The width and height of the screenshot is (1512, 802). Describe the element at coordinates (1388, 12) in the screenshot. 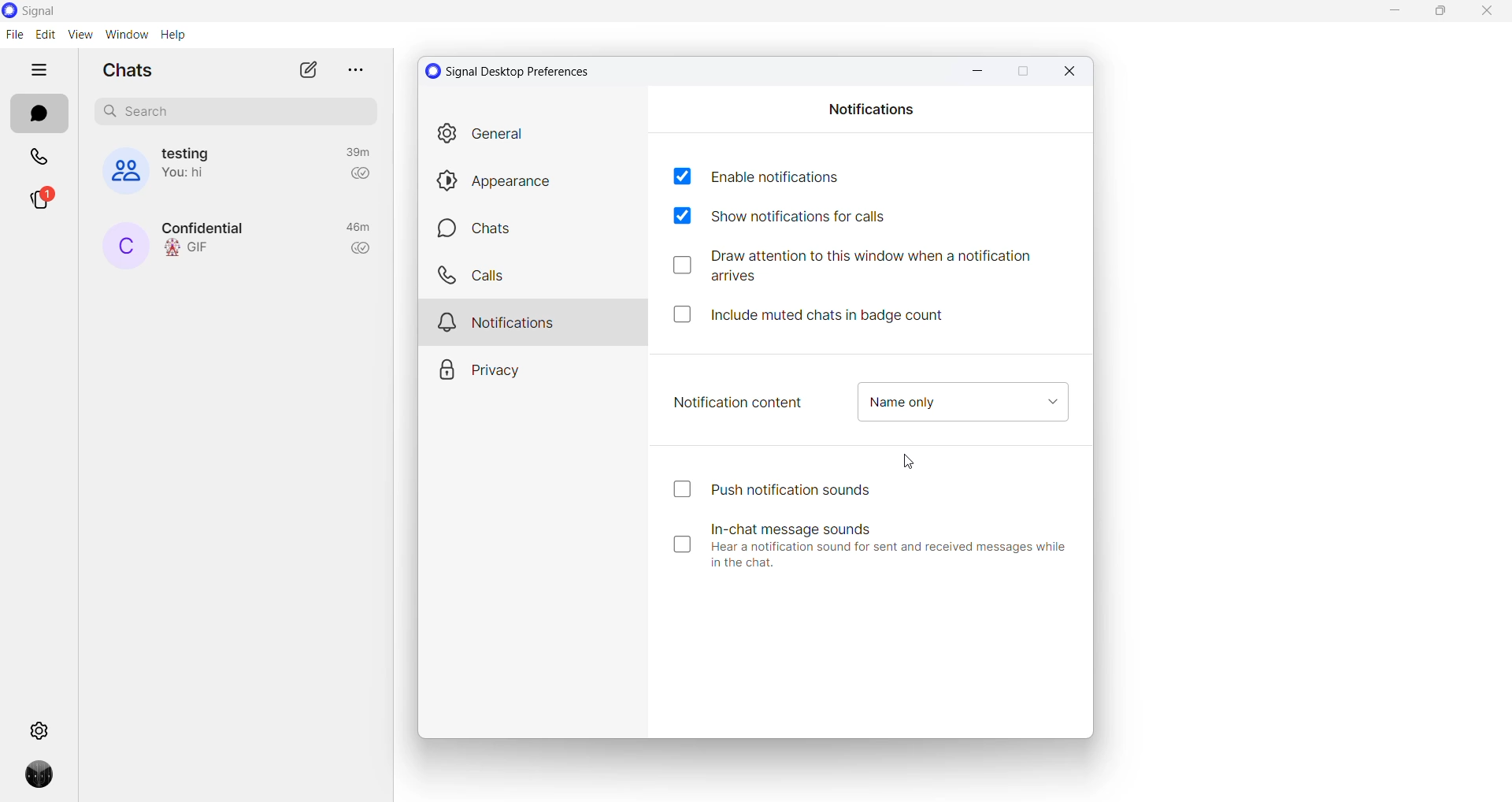

I see `minimize` at that location.